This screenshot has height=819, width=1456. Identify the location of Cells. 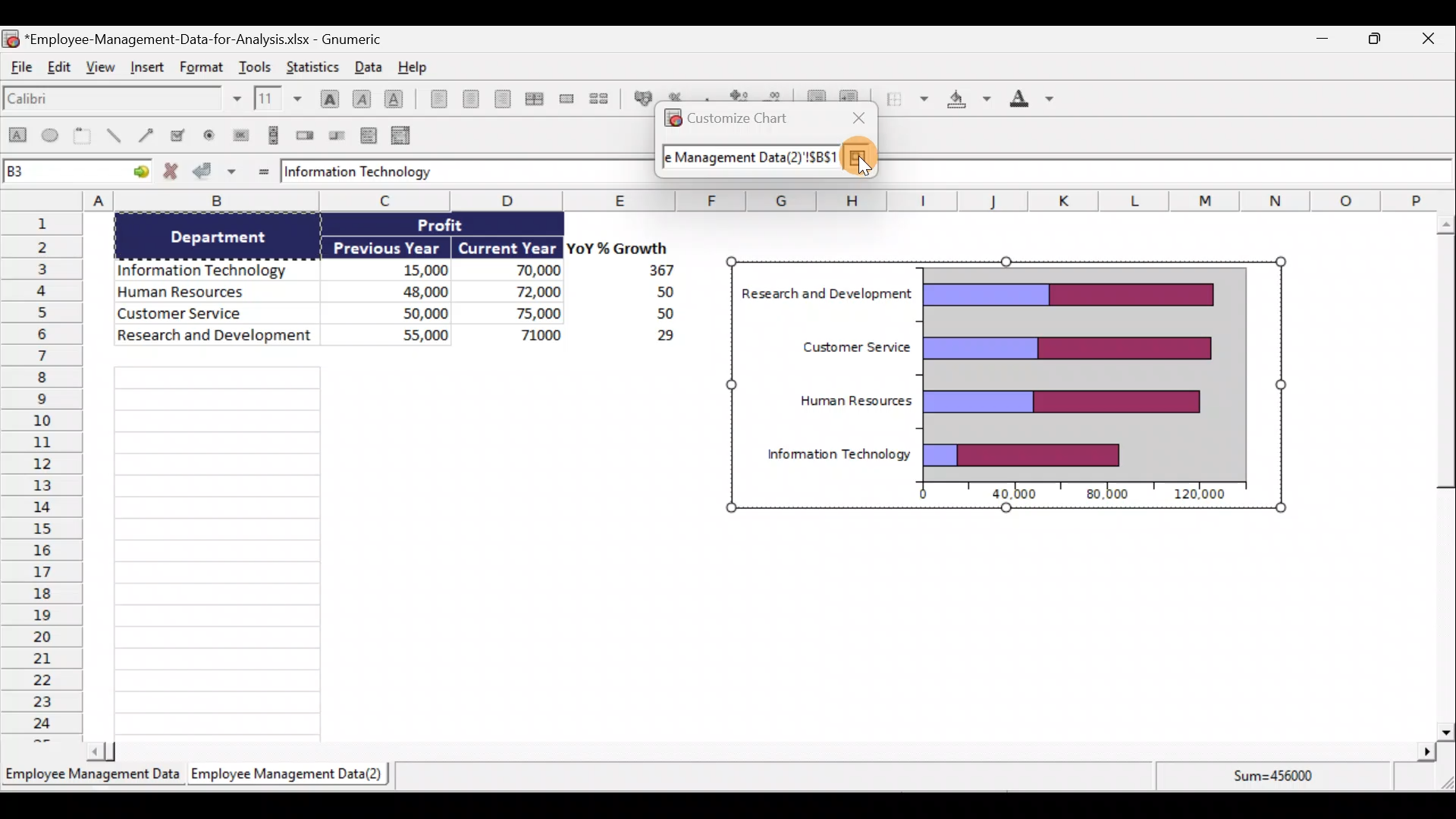
(267, 551).